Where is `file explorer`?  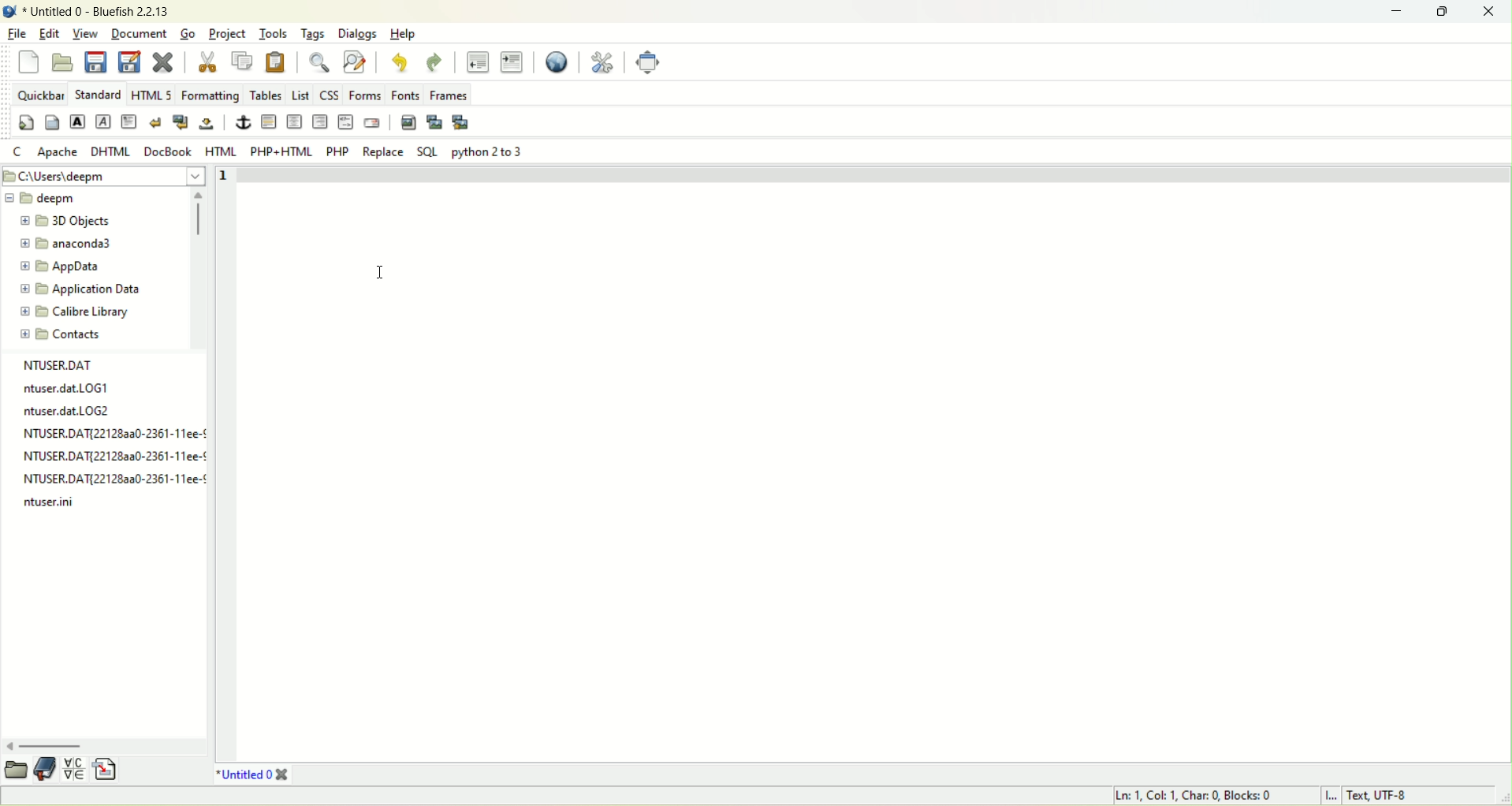
file explorer is located at coordinates (16, 769).